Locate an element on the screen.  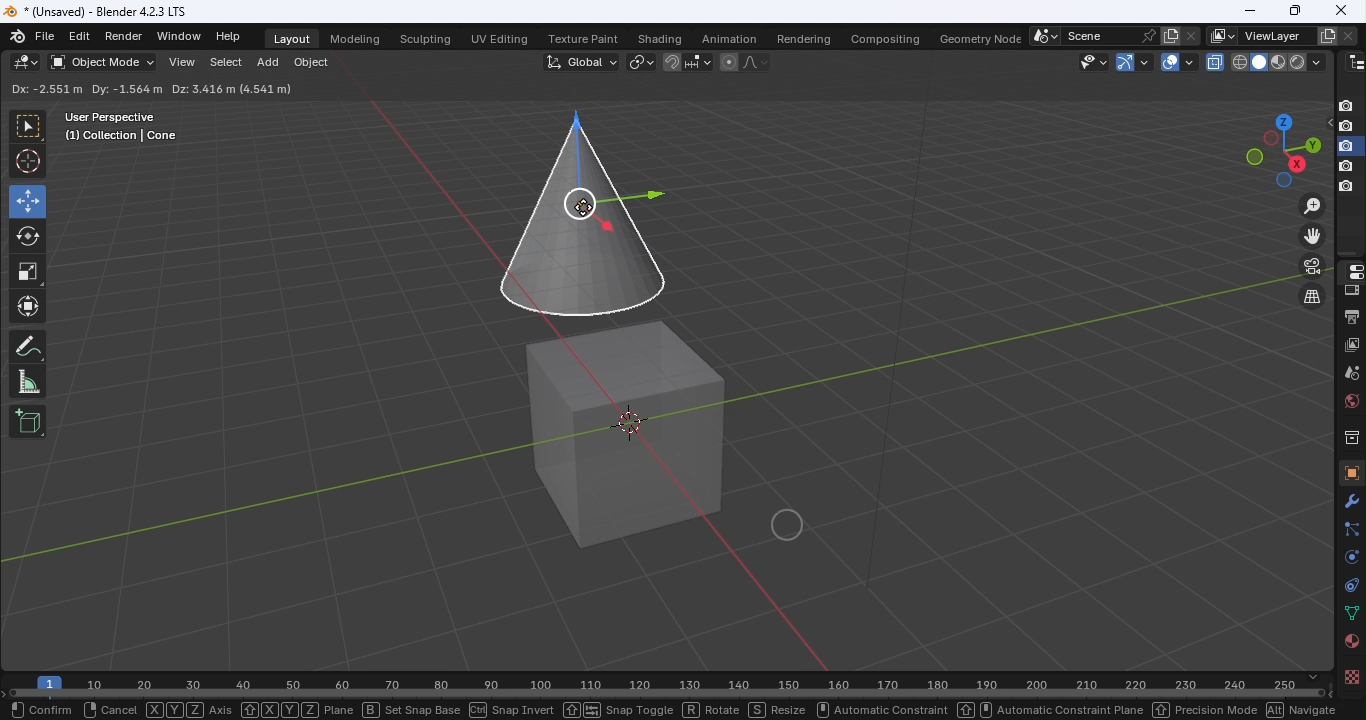
Icon is located at coordinates (19, 35).